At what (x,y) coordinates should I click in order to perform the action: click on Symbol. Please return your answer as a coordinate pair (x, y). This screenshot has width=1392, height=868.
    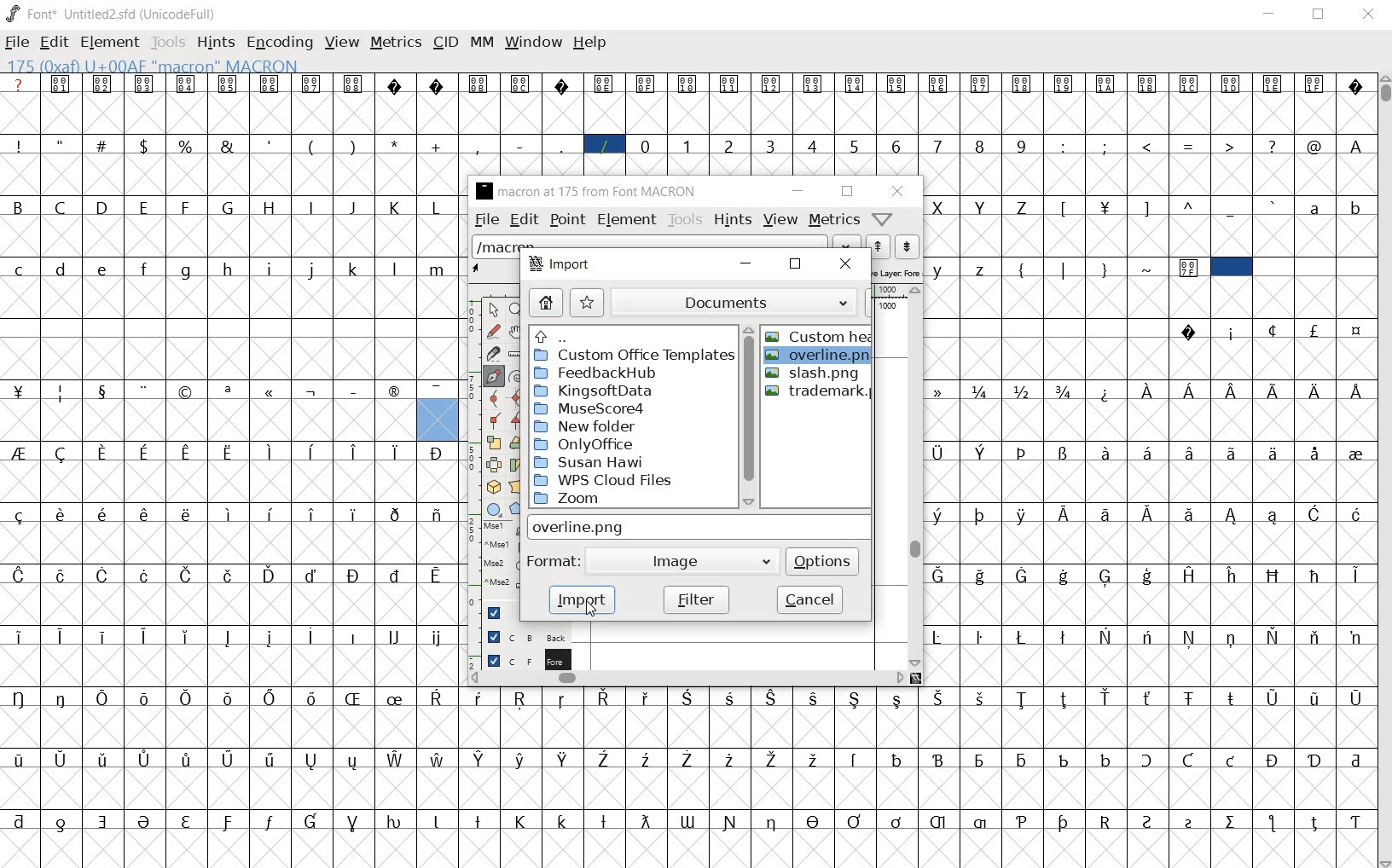
    Looking at the image, I should click on (771, 84).